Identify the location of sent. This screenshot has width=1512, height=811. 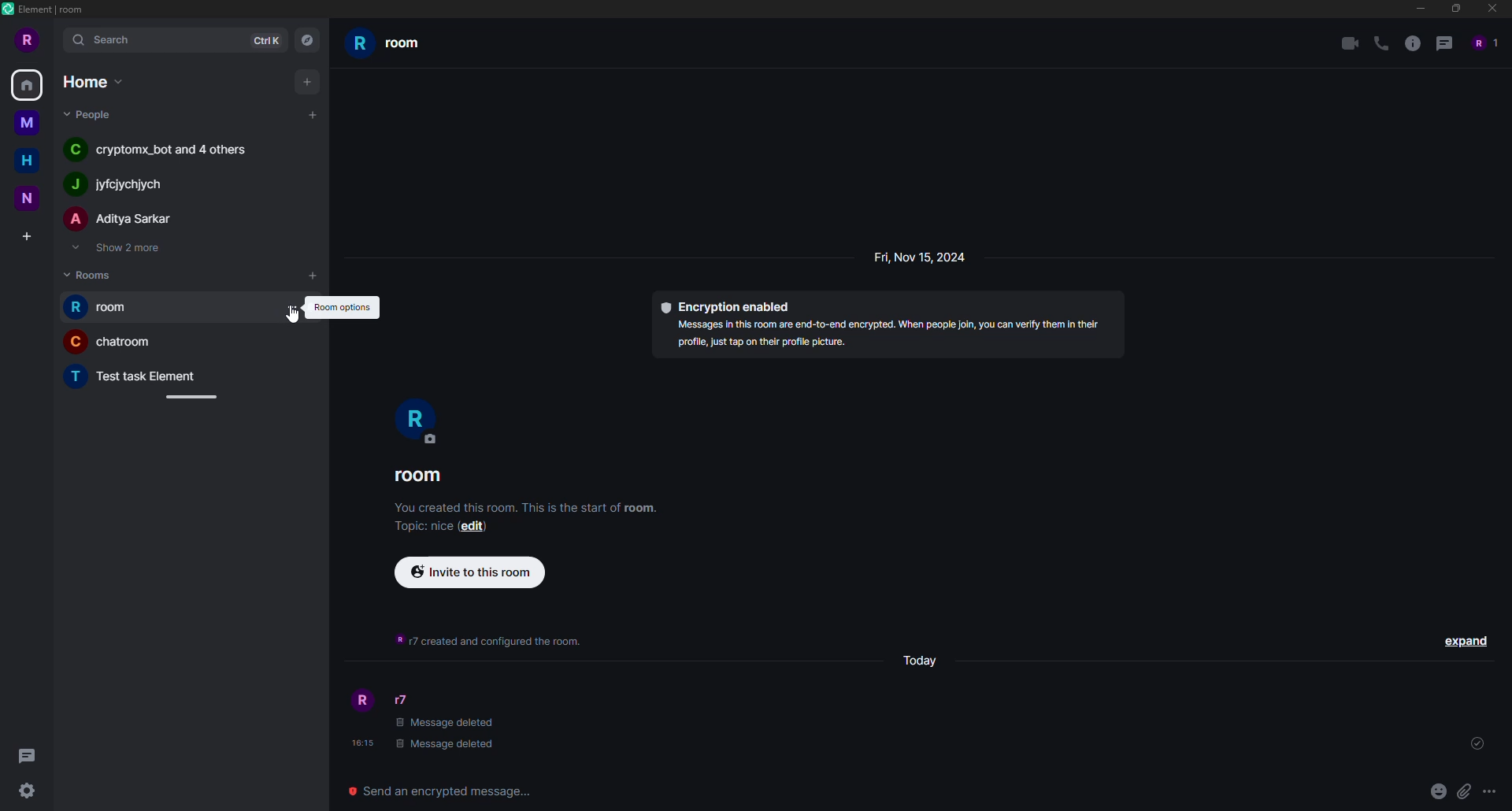
(1477, 744).